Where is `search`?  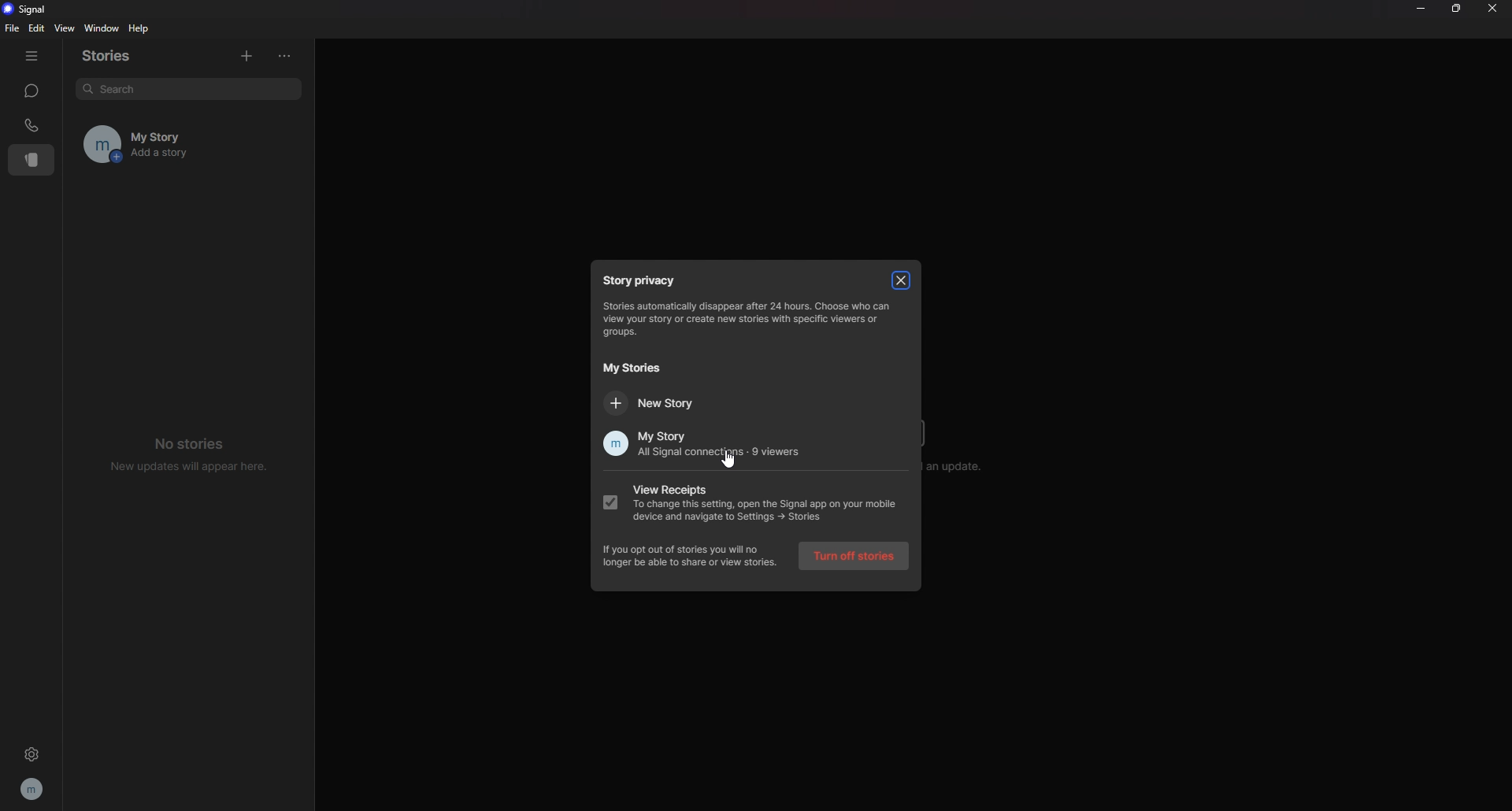 search is located at coordinates (182, 89).